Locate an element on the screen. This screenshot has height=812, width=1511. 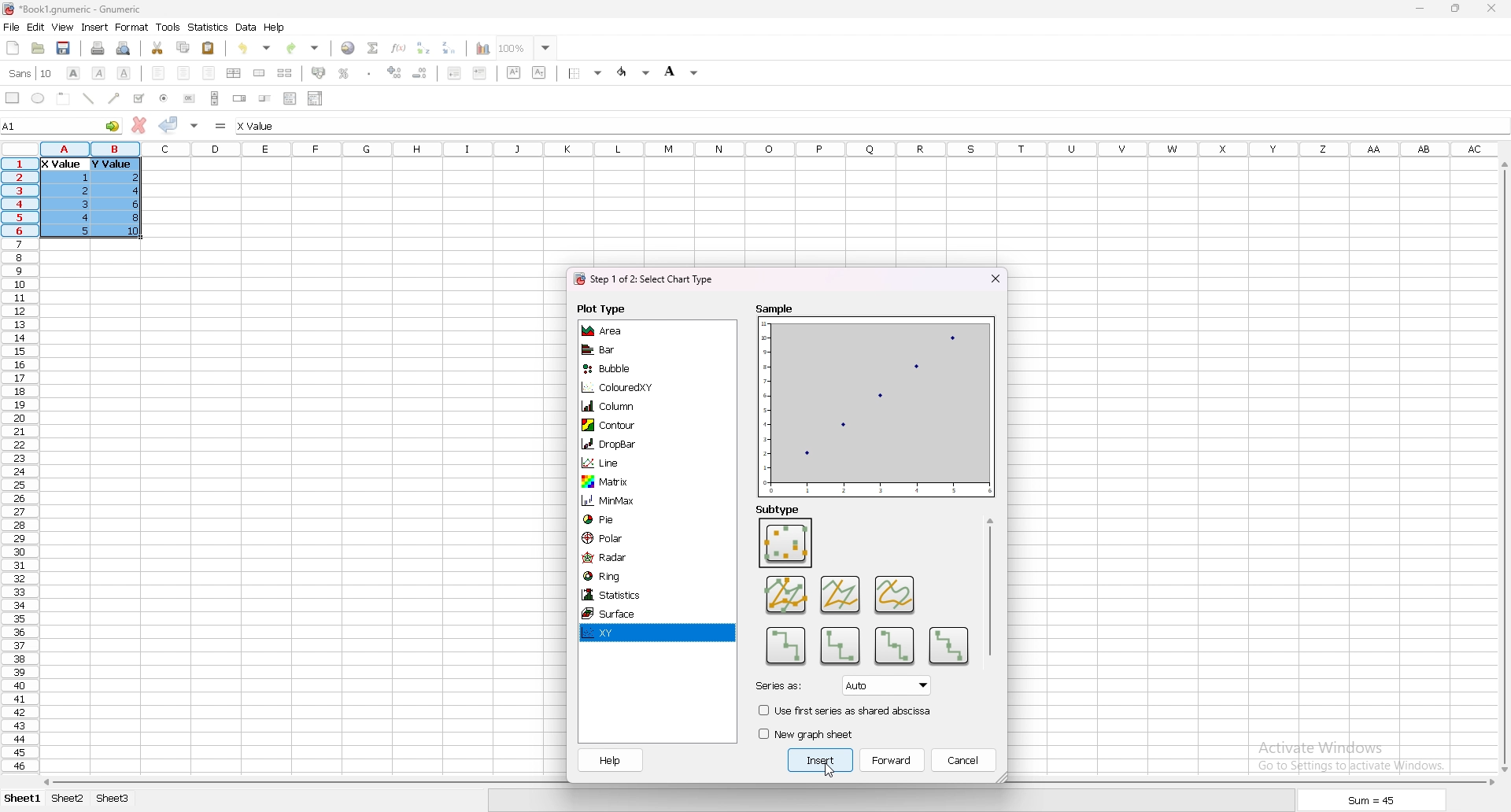
tools is located at coordinates (168, 27).